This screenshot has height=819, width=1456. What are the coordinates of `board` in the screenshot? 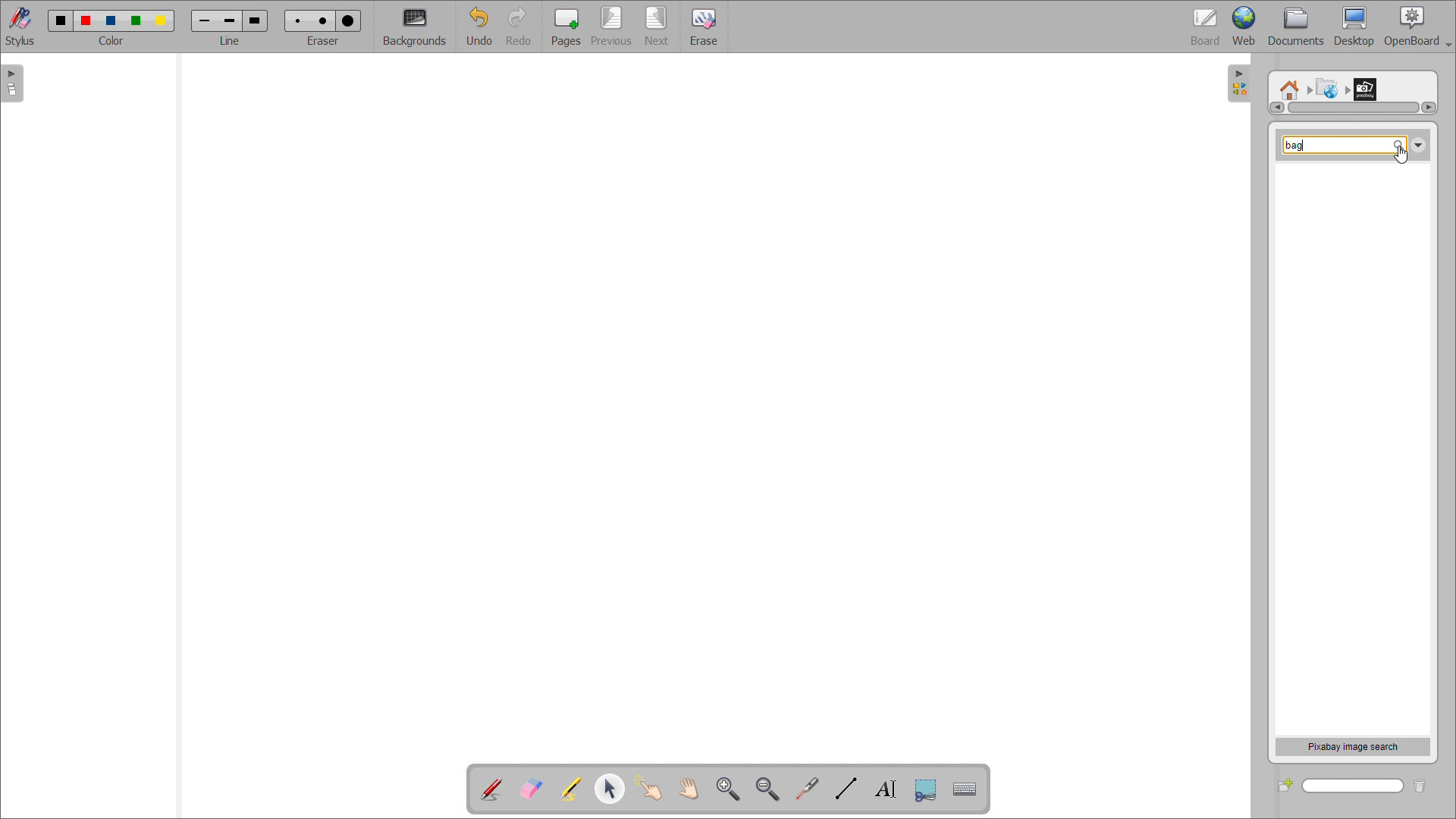 It's located at (1206, 27).